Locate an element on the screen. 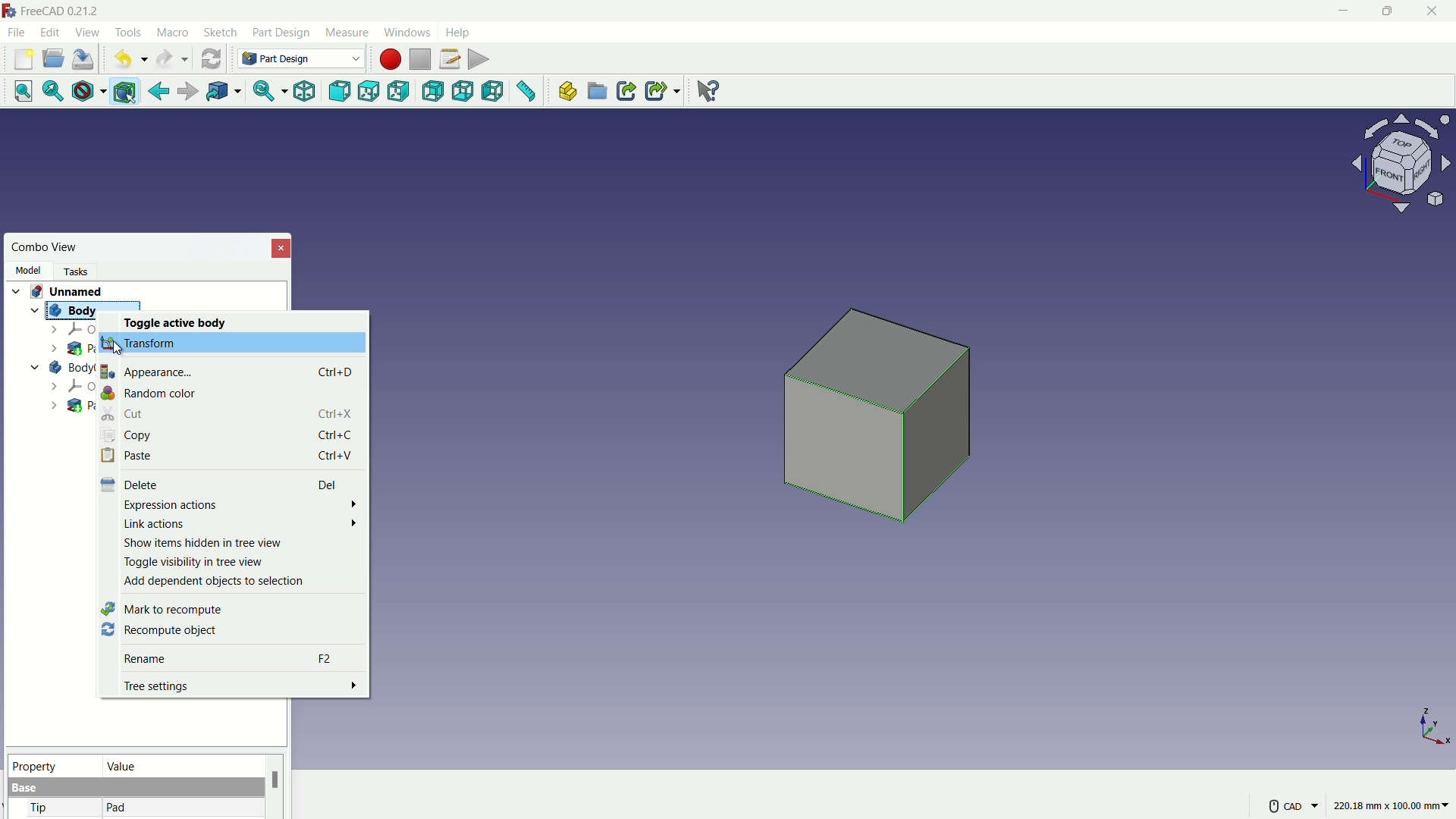 This screenshot has height=819, width=1456. 220.18 mm x 100.00 mm~ is located at coordinates (1391, 805).